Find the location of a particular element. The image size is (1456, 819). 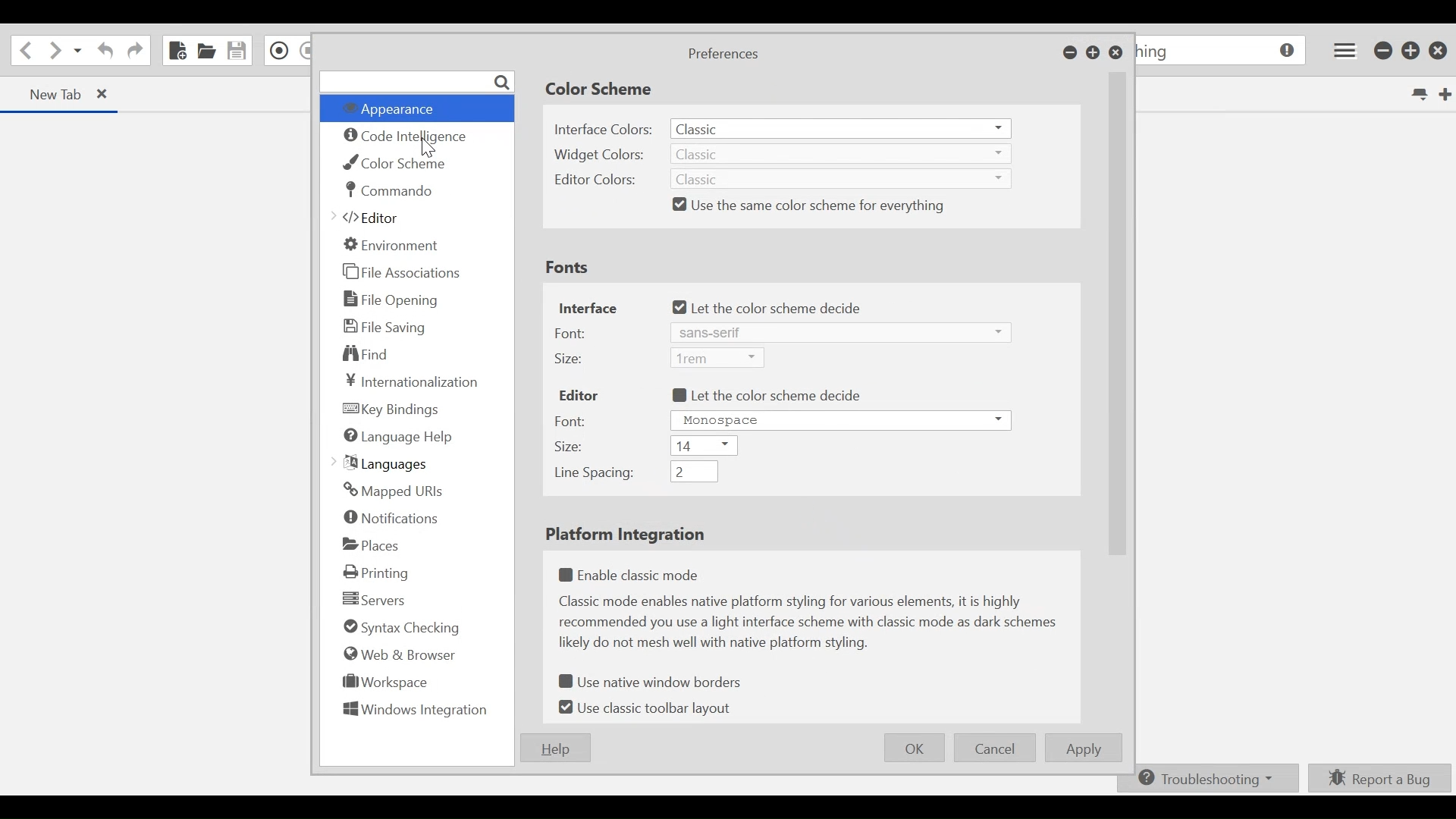

2 is located at coordinates (693, 472).